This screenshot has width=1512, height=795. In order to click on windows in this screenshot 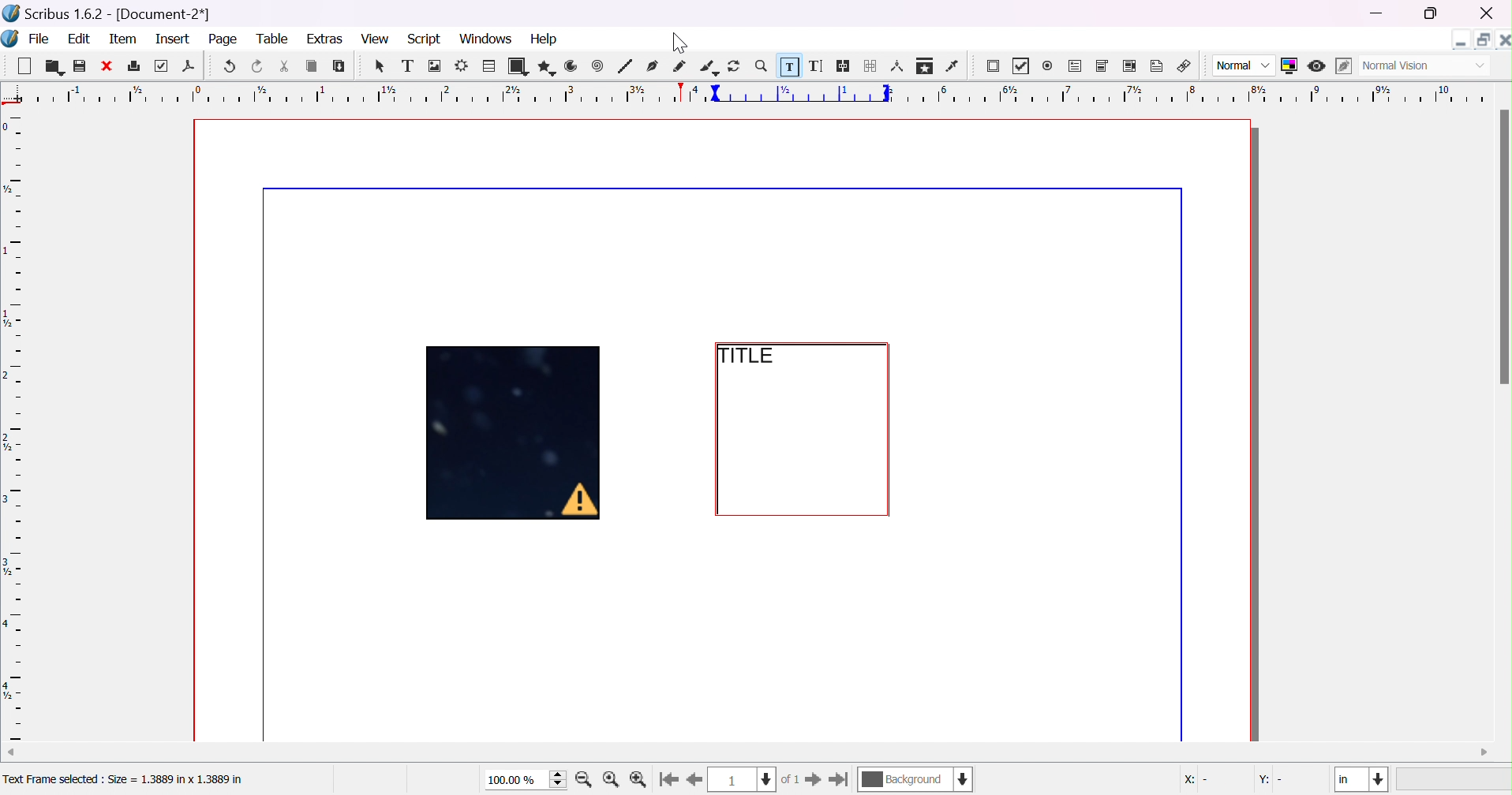, I will do `click(485, 40)`.